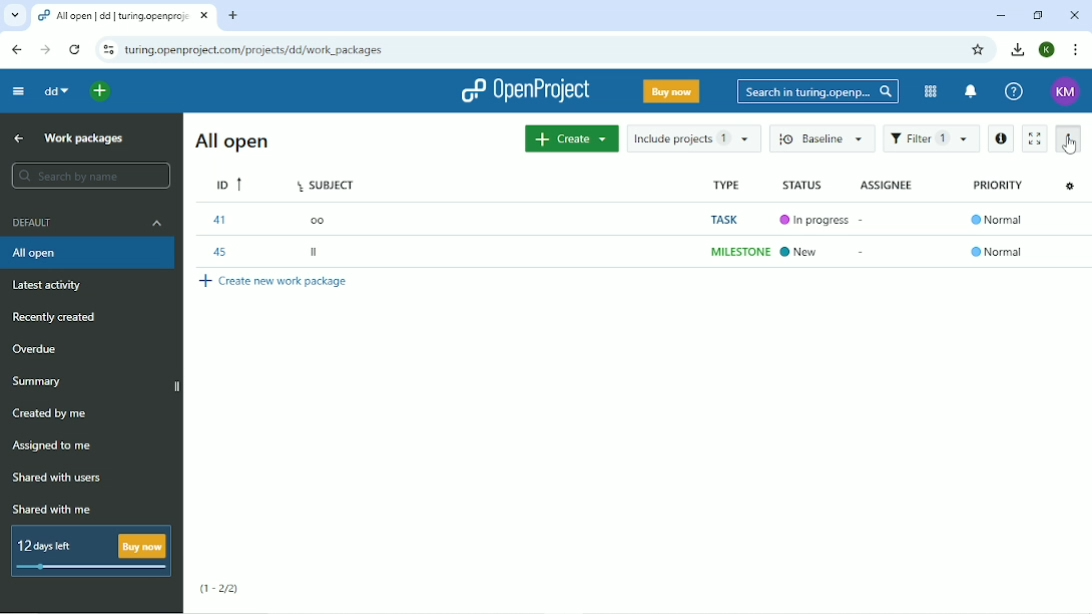  I want to click on Current tab, so click(126, 16).